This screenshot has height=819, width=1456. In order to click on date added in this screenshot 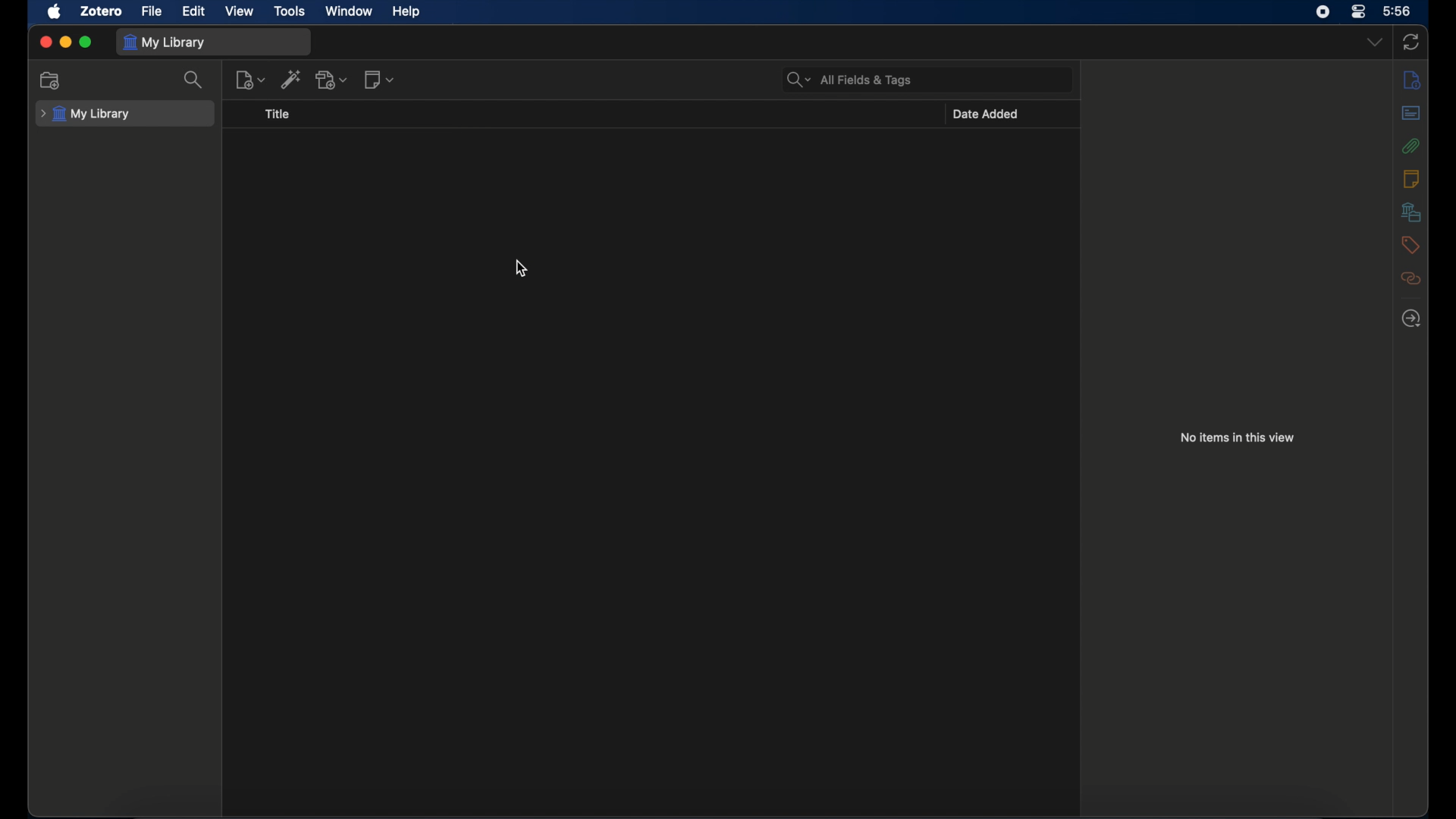, I will do `click(987, 114)`.